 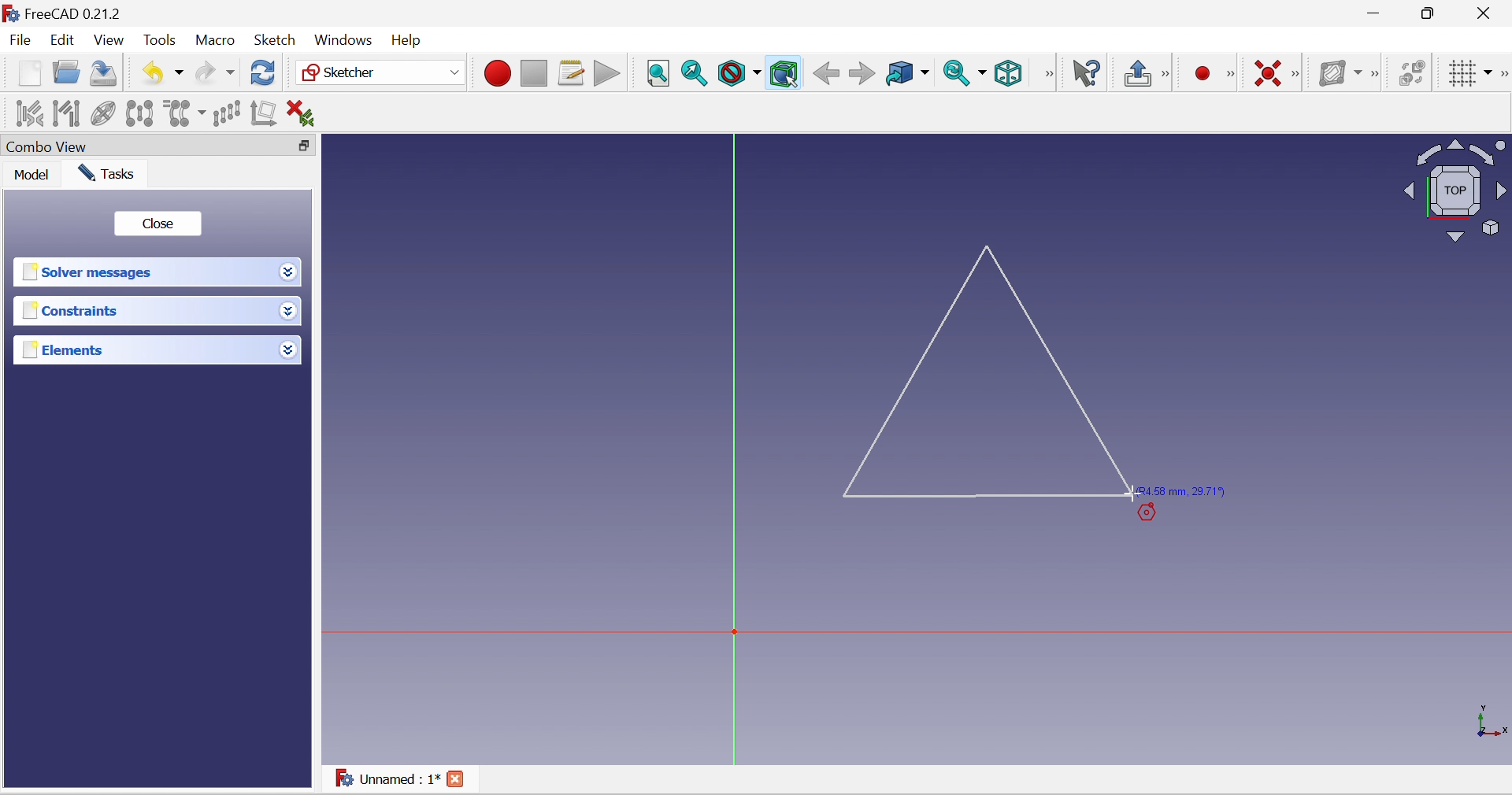 What do you see at coordinates (106, 74) in the screenshot?
I see `Save` at bounding box center [106, 74].